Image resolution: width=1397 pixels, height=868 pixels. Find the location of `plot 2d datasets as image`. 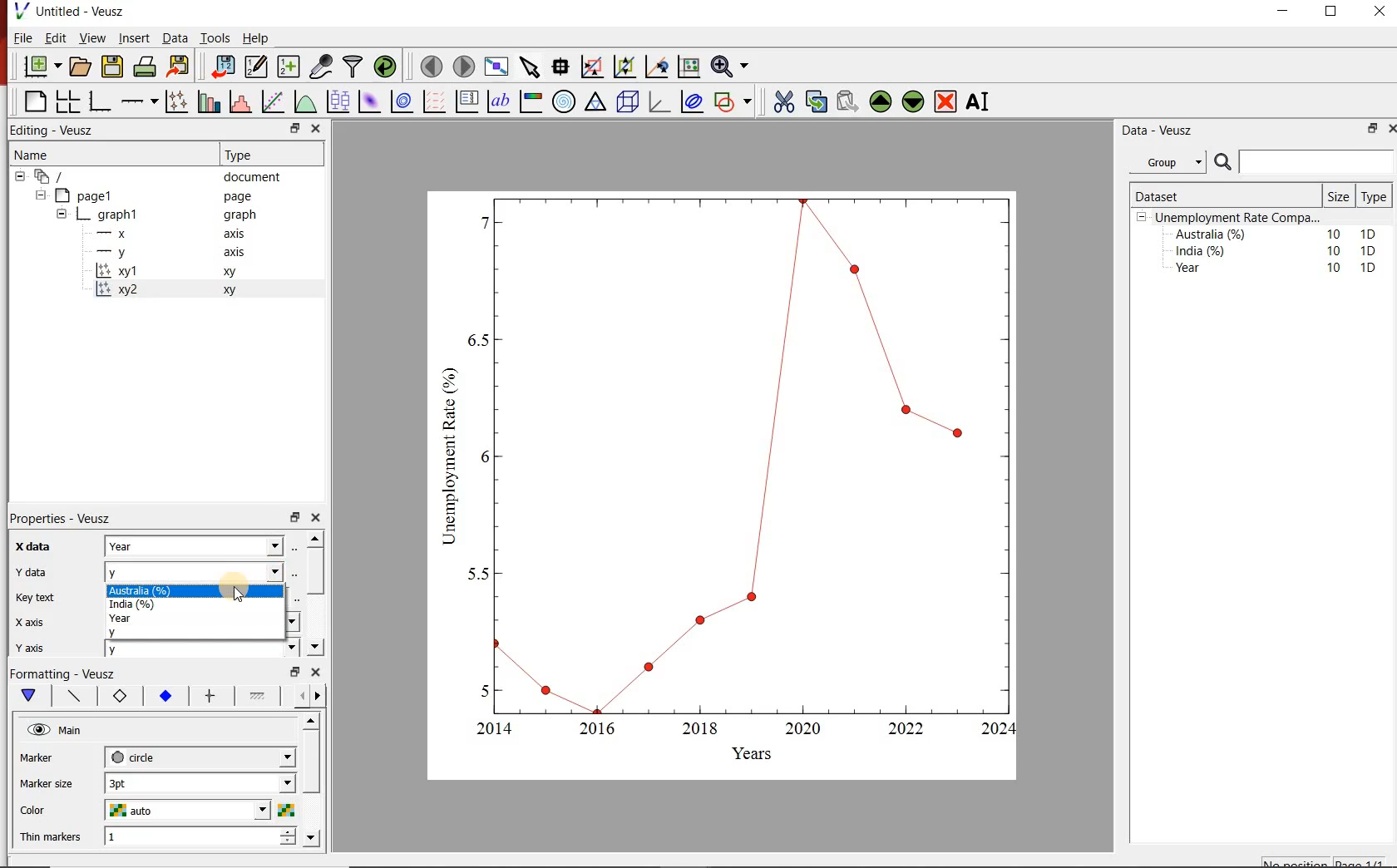

plot 2d datasets as image is located at coordinates (369, 101).